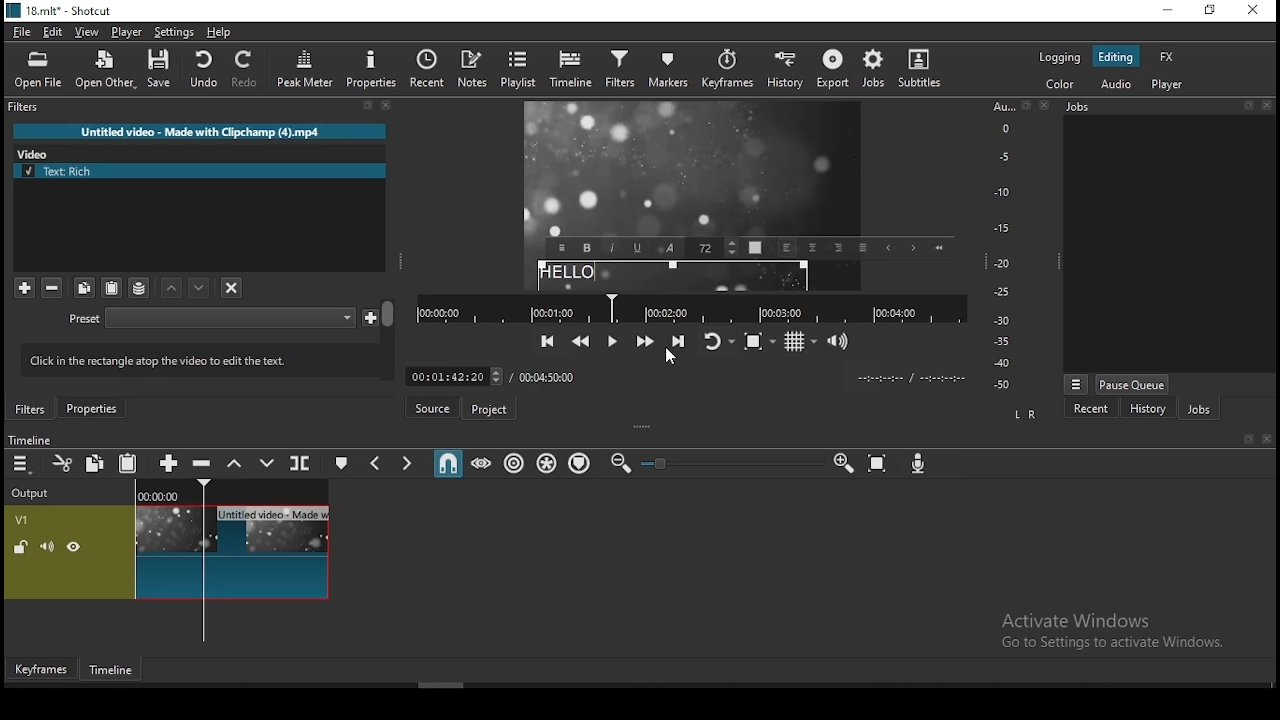 The height and width of the screenshot is (720, 1280). I want to click on Font Style, so click(670, 248).